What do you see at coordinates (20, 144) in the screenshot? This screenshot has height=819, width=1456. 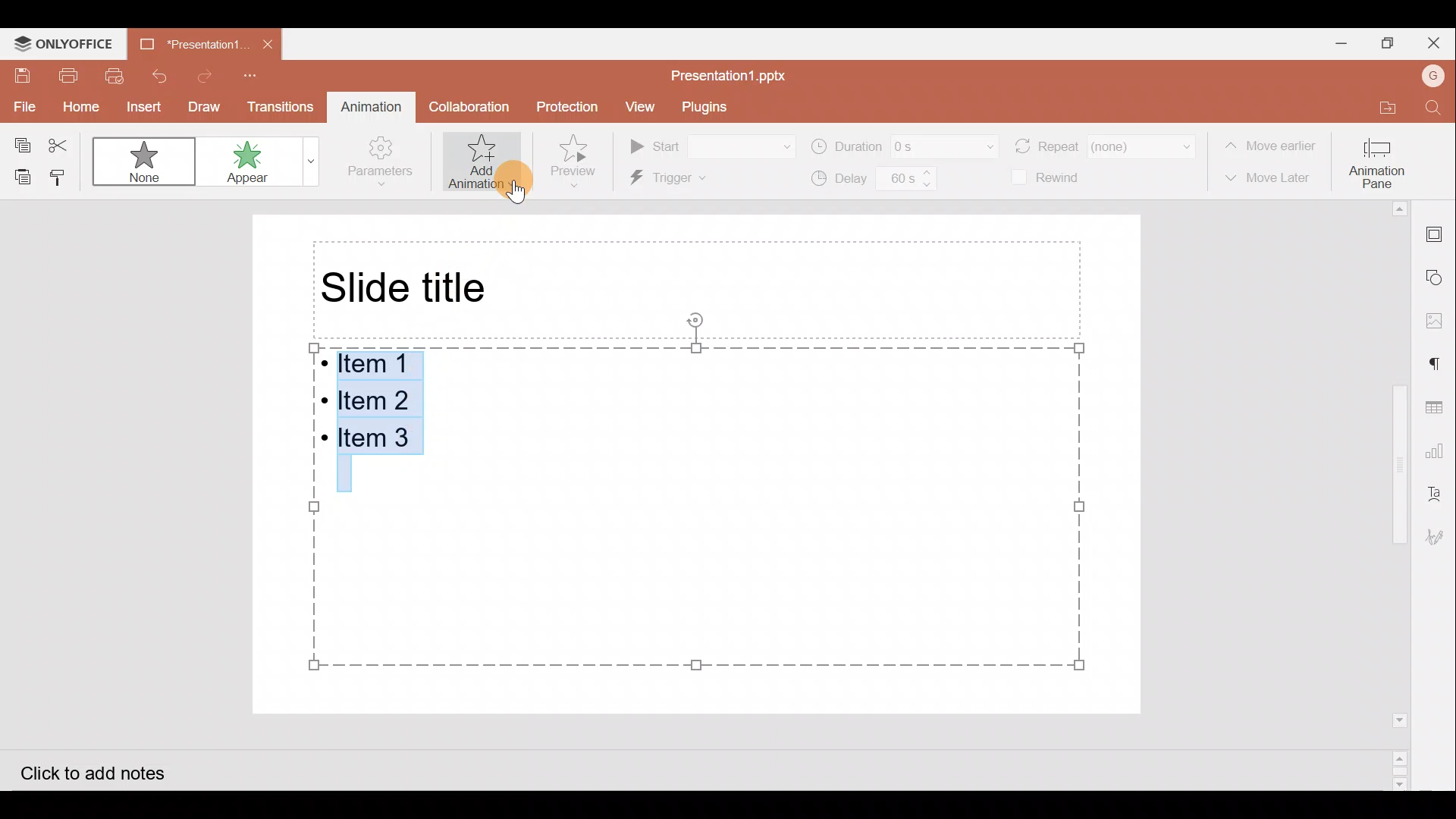 I see `Copy` at bounding box center [20, 144].